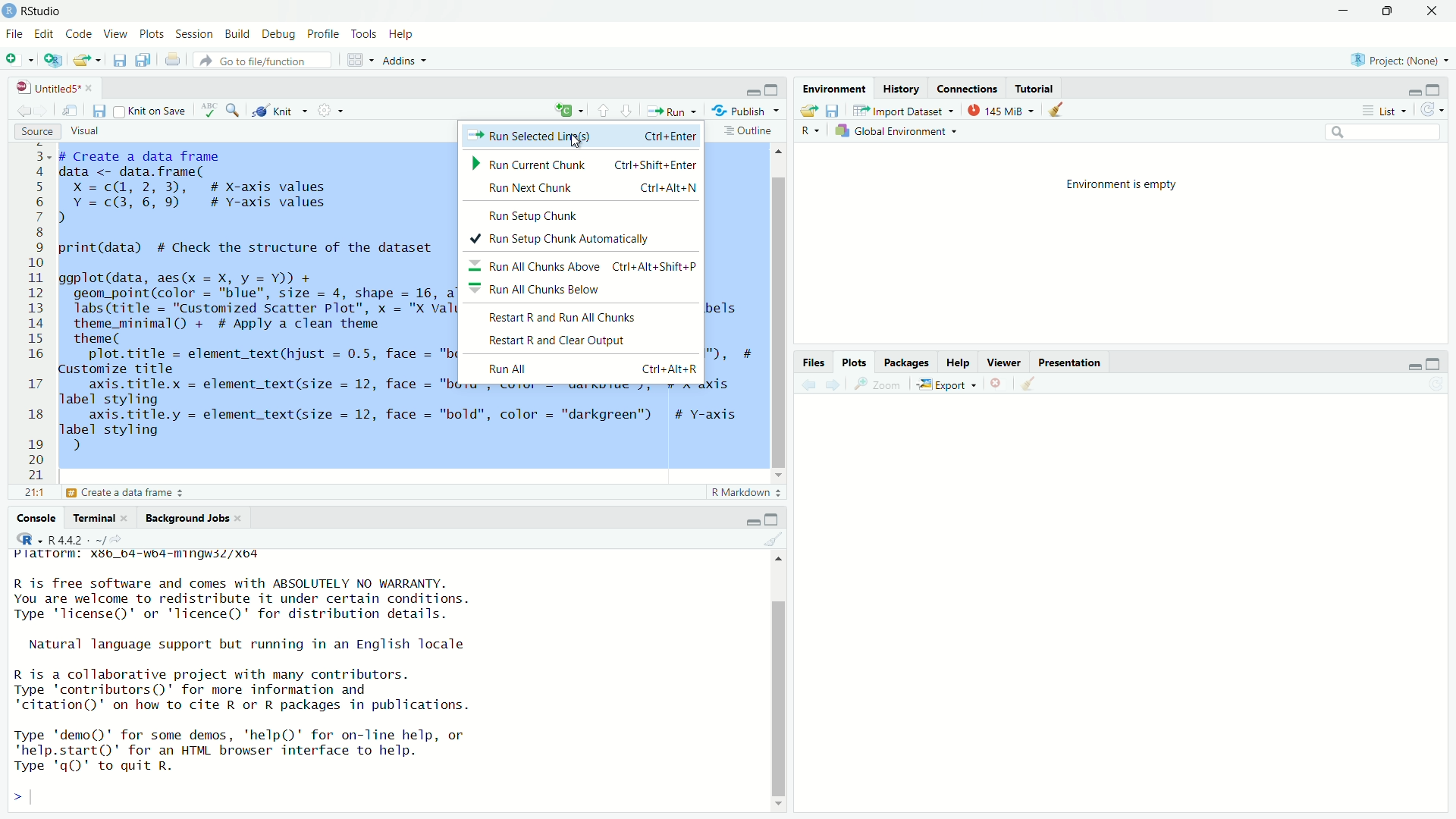 The image size is (1456, 819). I want to click on Run All chunks Above, so click(582, 265).